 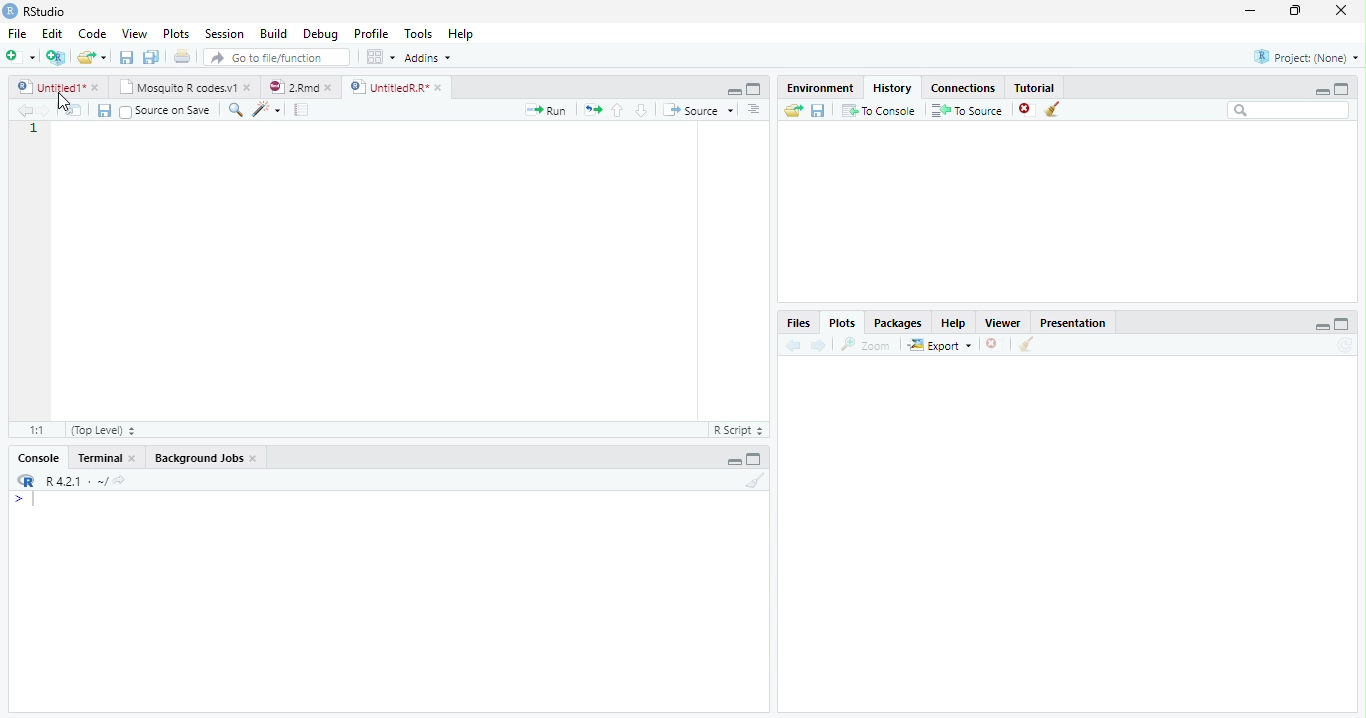 What do you see at coordinates (794, 345) in the screenshot?
I see `Previous plot` at bounding box center [794, 345].